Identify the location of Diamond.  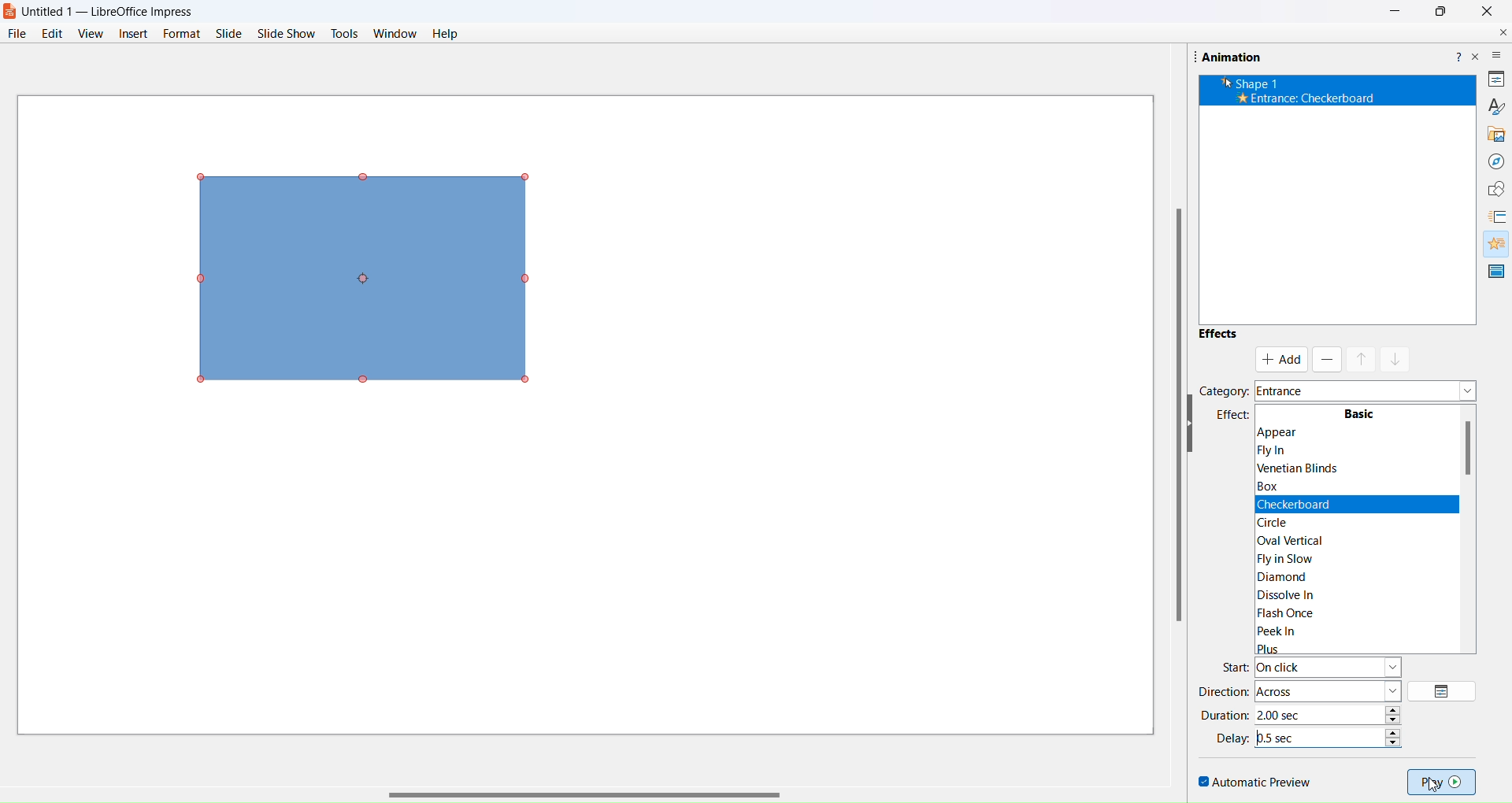
(1293, 575).